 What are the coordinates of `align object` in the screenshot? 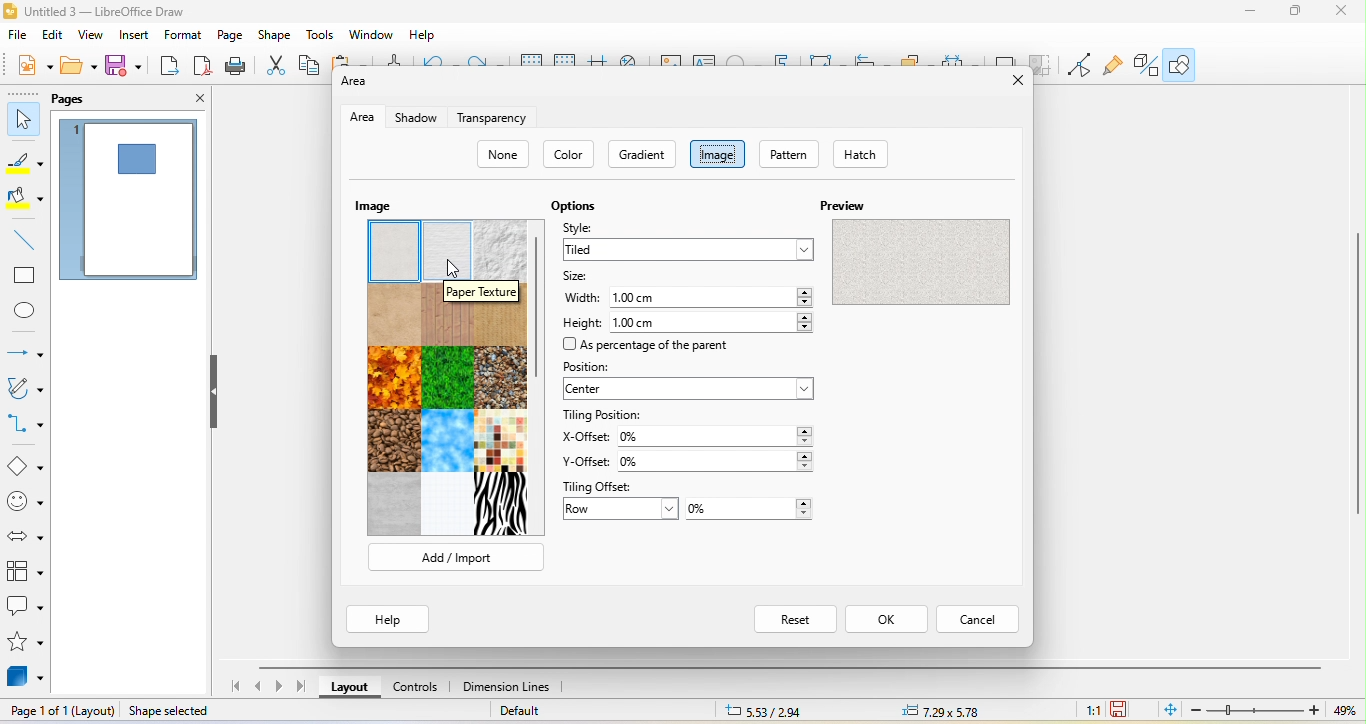 It's located at (874, 59).